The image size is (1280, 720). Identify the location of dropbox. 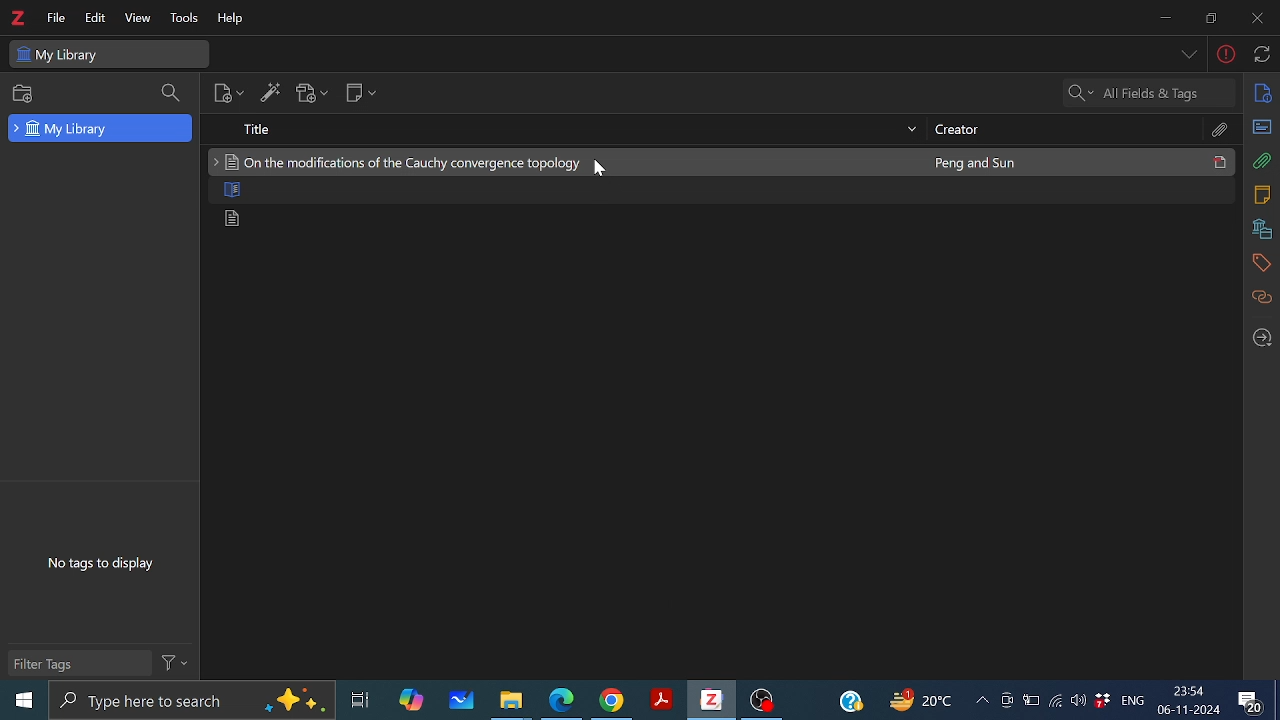
(1103, 702).